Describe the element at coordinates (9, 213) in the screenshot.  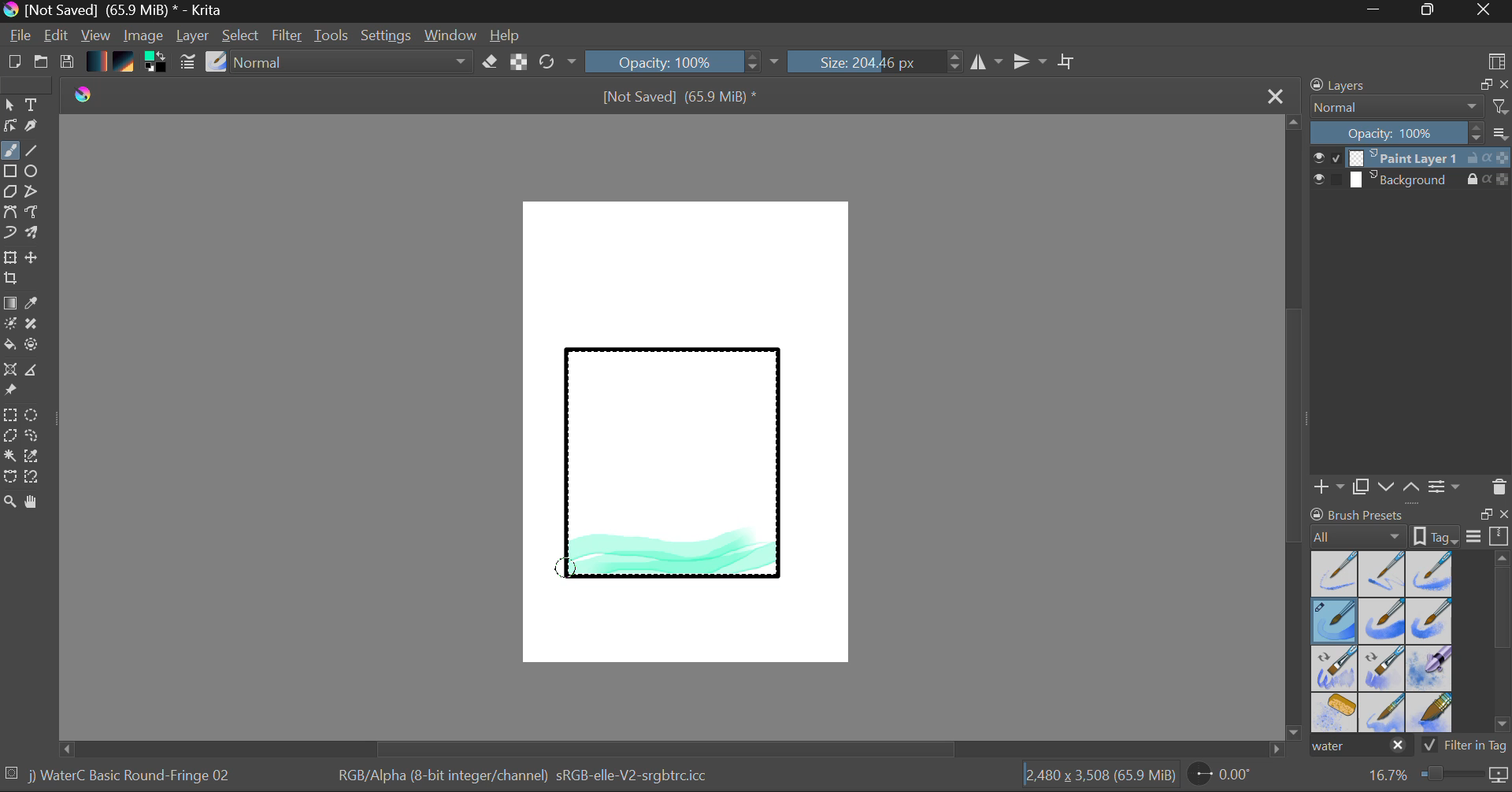
I see `Bezier Curve` at that location.